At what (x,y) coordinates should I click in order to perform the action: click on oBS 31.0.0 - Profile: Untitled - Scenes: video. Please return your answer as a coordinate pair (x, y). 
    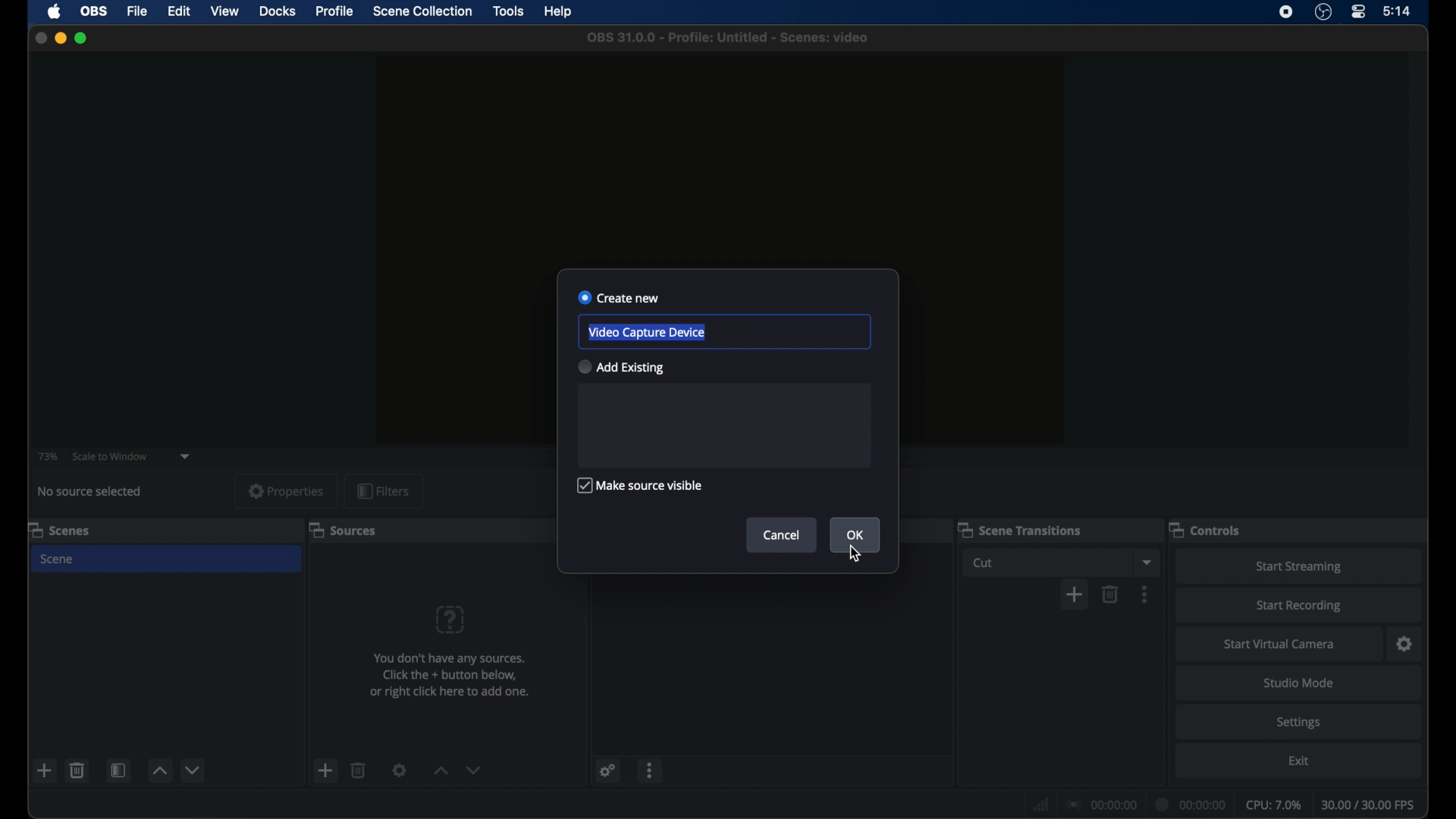
    Looking at the image, I should click on (731, 39).